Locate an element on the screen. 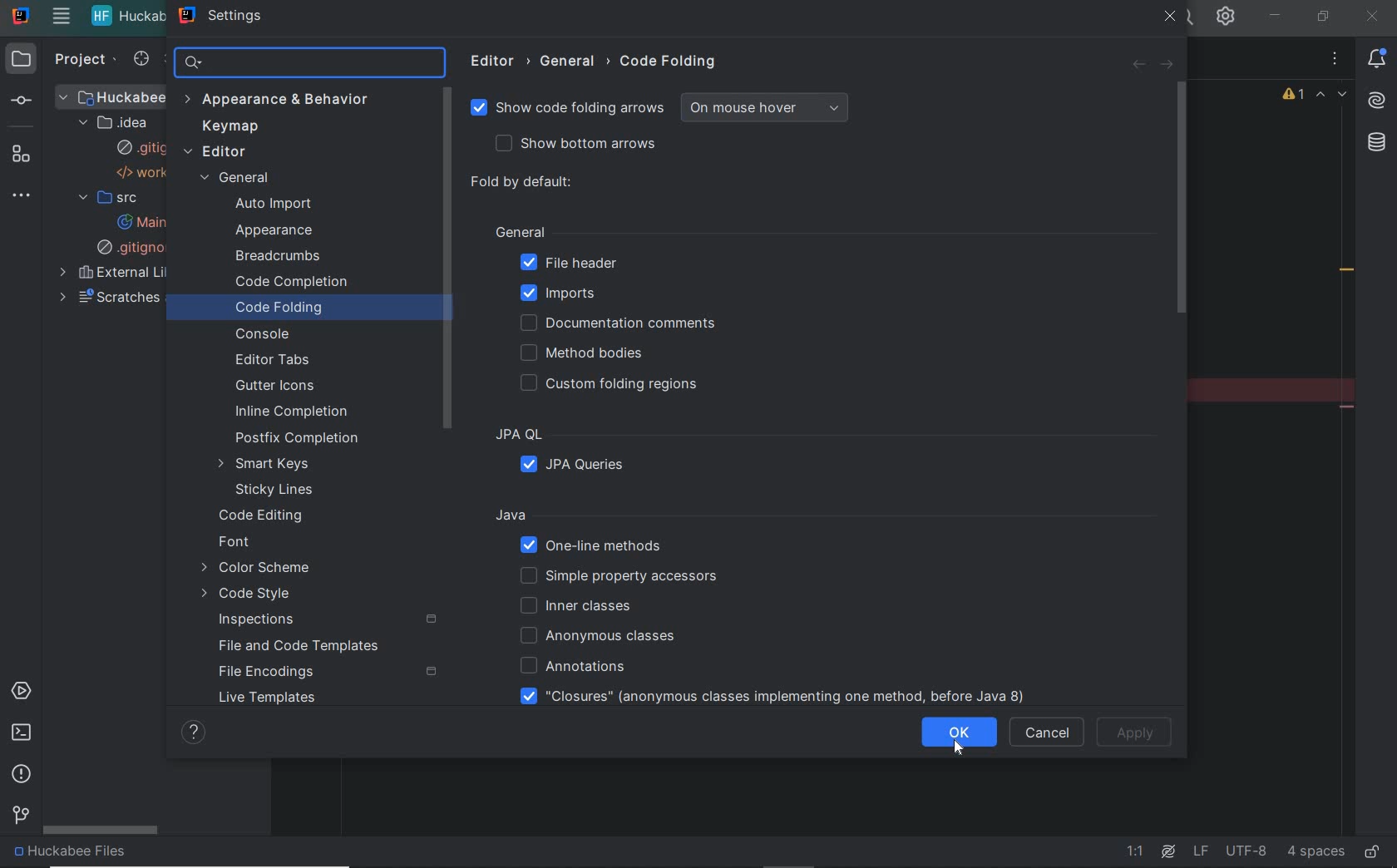 This screenshot has width=1397, height=868. file encoding is located at coordinates (1246, 851).